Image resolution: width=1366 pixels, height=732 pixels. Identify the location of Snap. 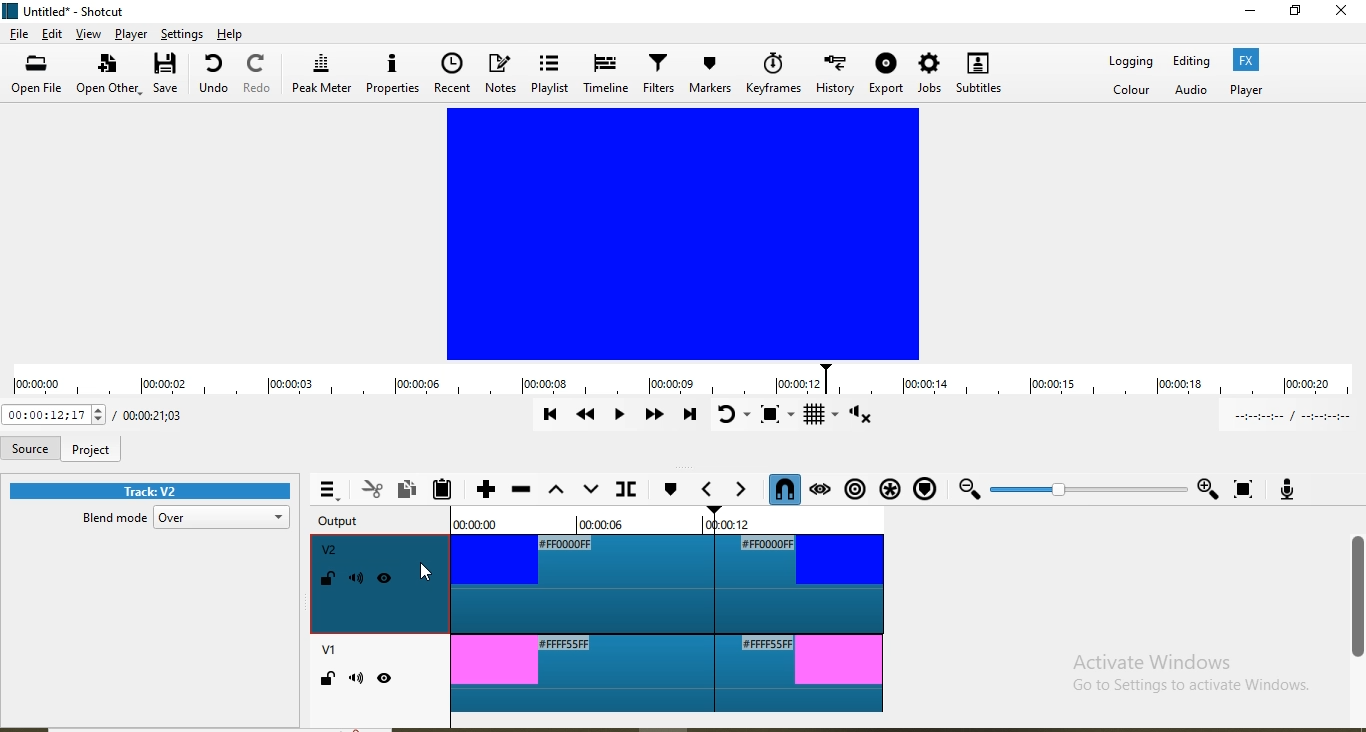
(786, 491).